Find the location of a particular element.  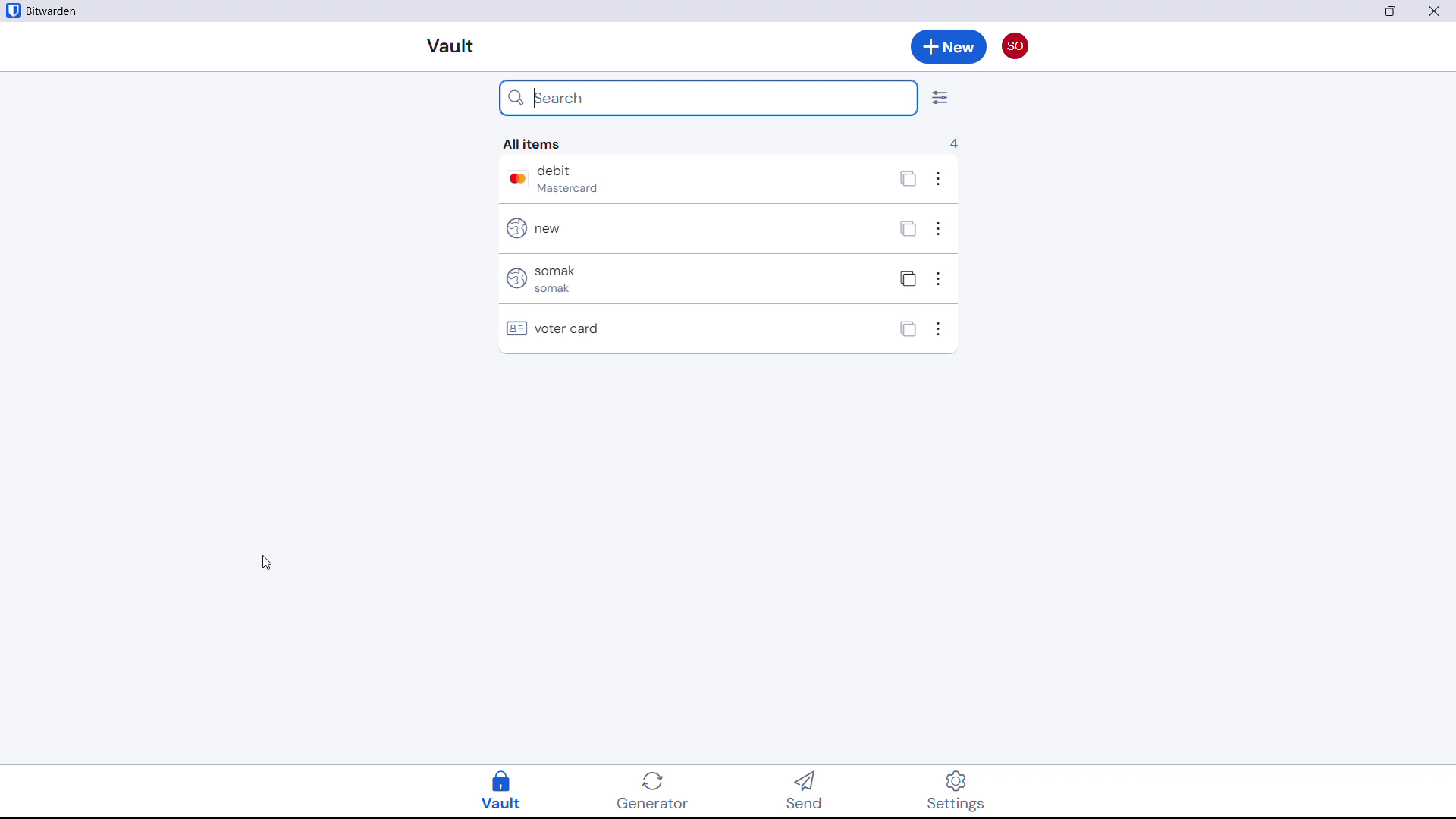

logo "new" is located at coordinates (513, 229).